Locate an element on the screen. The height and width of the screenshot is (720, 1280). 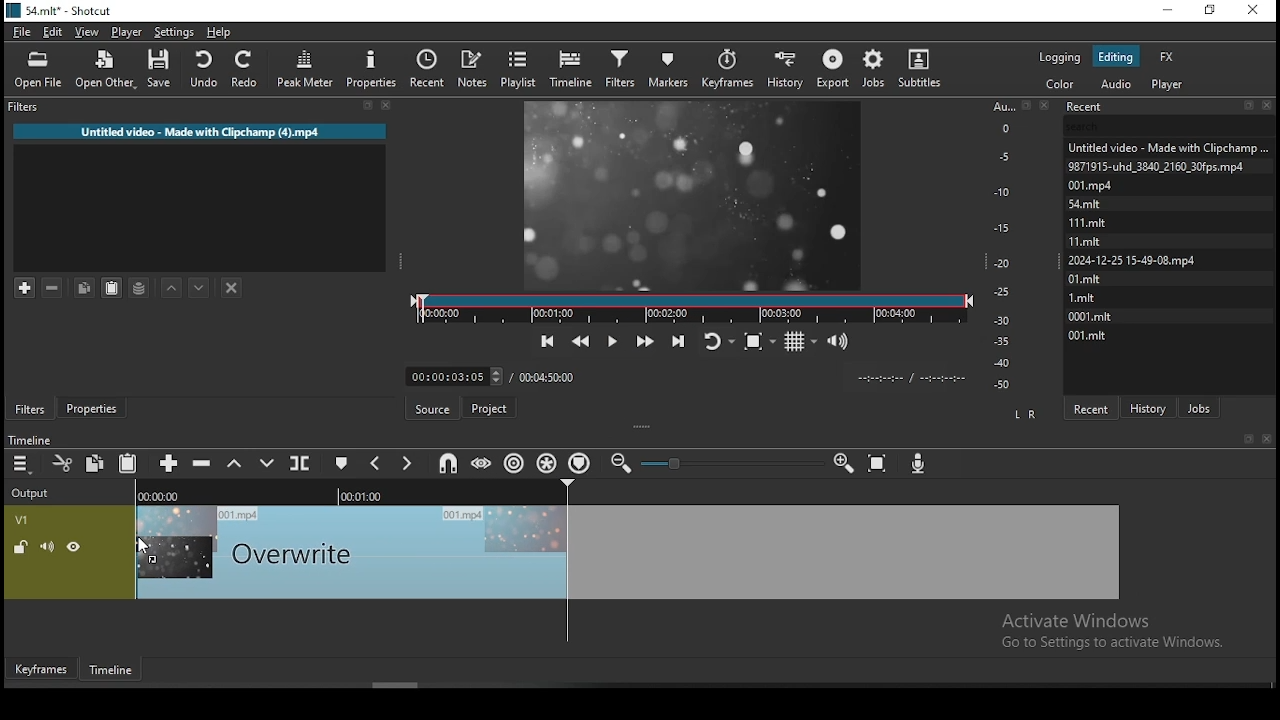
player is located at coordinates (1167, 84).